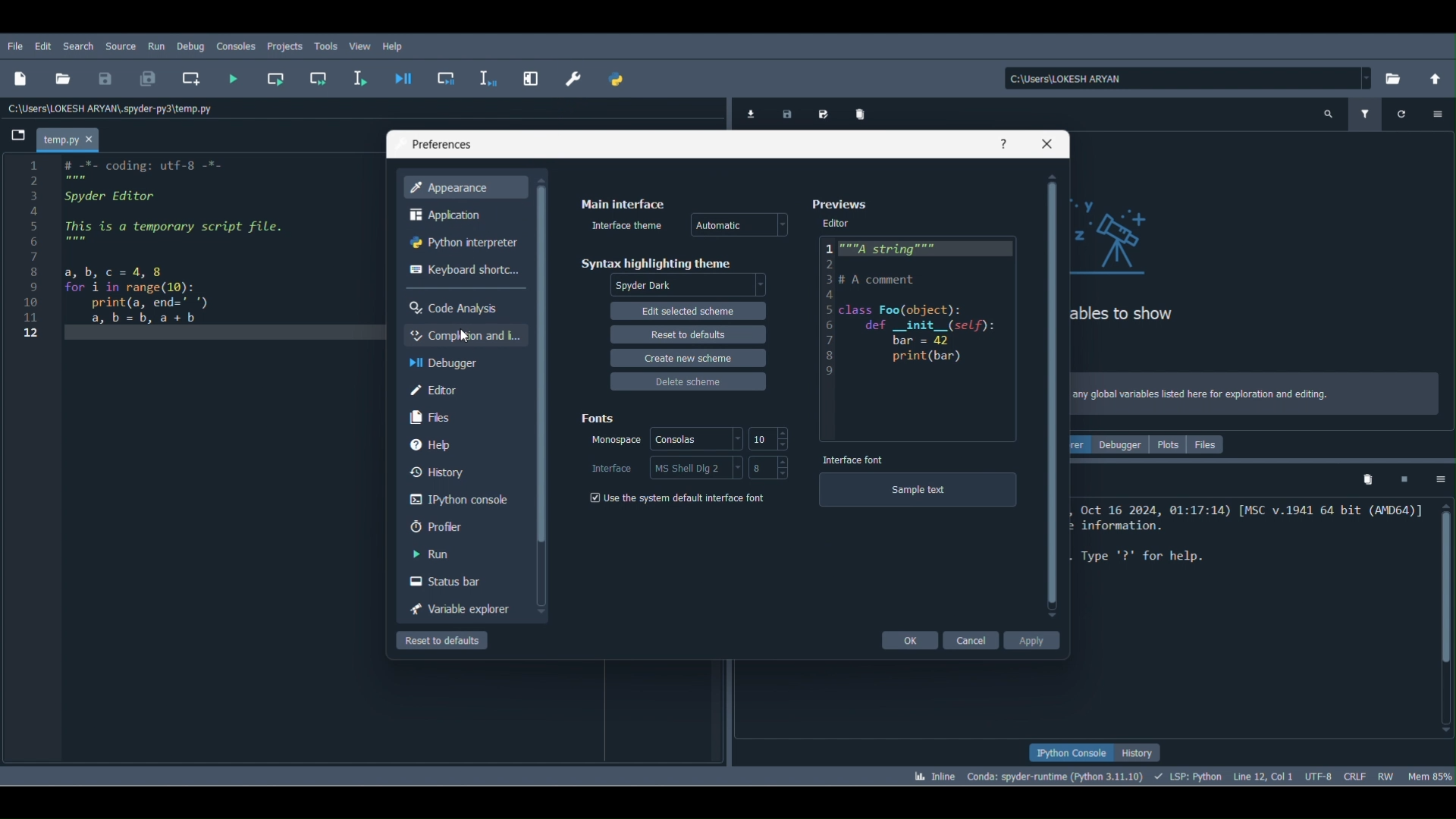 The height and width of the screenshot is (819, 1456). Describe the element at coordinates (441, 471) in the screenshot. I see `History` at that location.